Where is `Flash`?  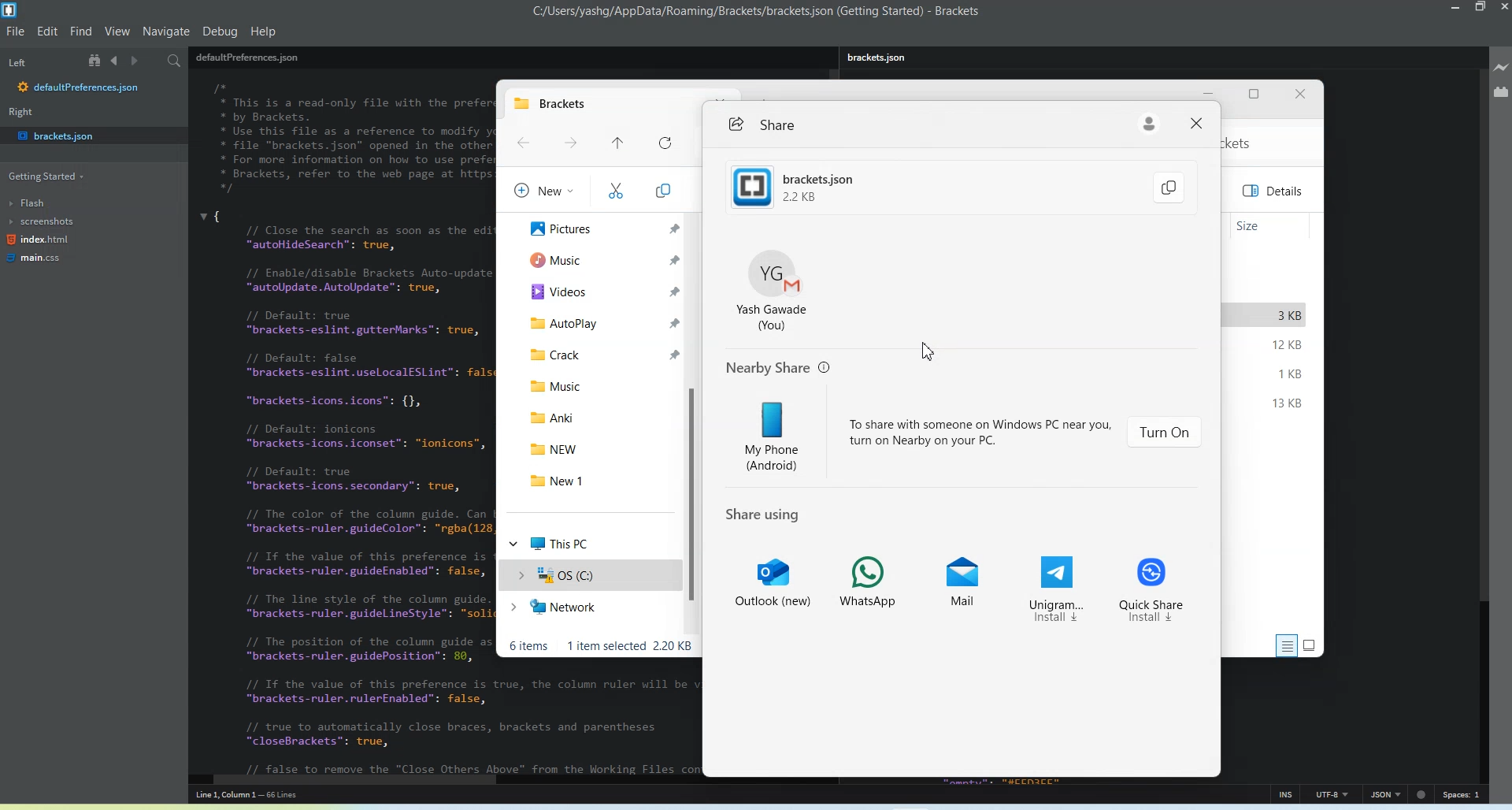
Flash is located at coordinates (38, 202).